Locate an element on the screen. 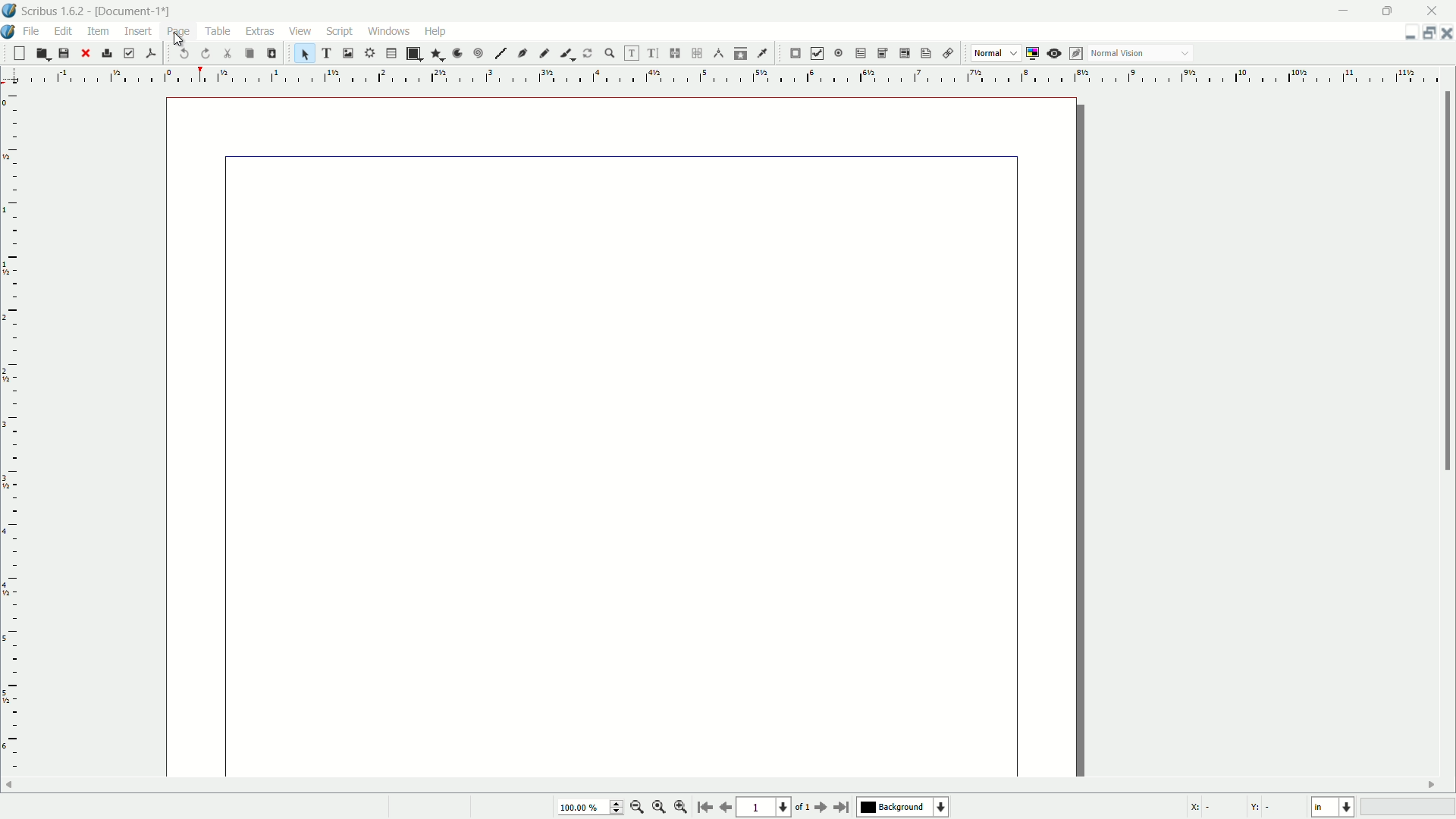  edit menu is located at coordinates (66, 30).